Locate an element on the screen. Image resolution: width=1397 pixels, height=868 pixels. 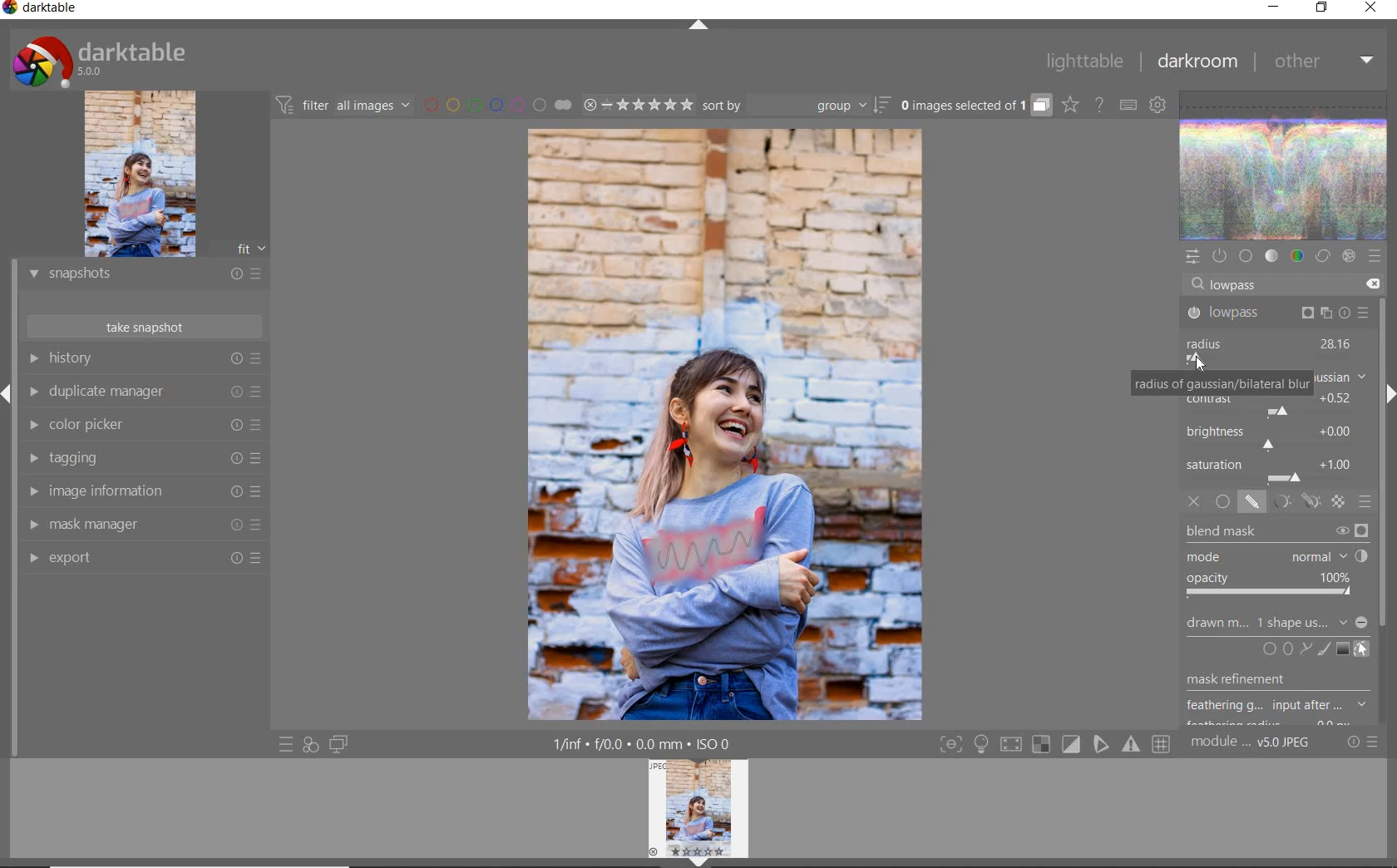
expand/collapse is located at coordinates (698, 25).